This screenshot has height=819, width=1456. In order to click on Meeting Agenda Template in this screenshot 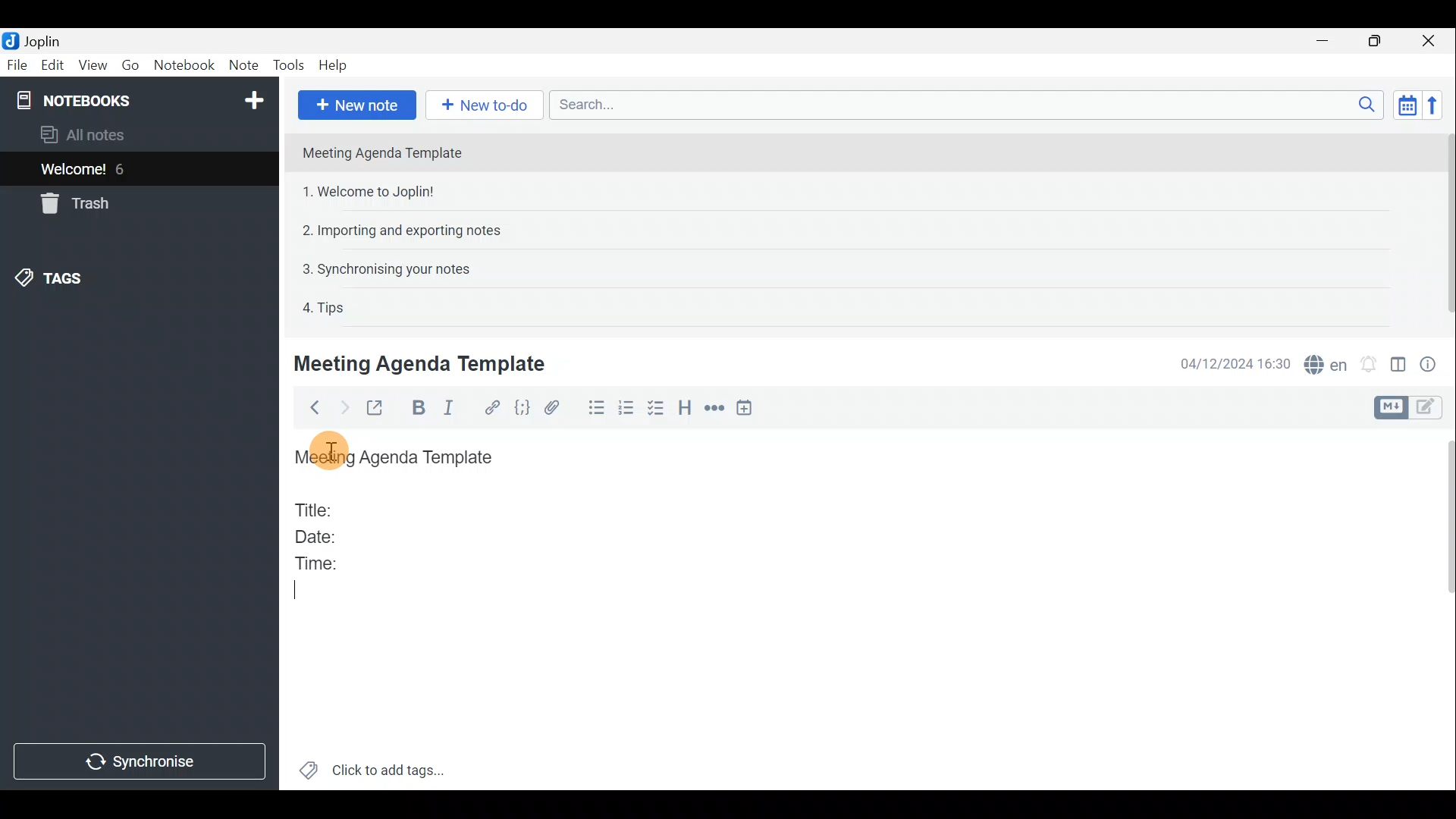, I will do `click(422, 363)`.